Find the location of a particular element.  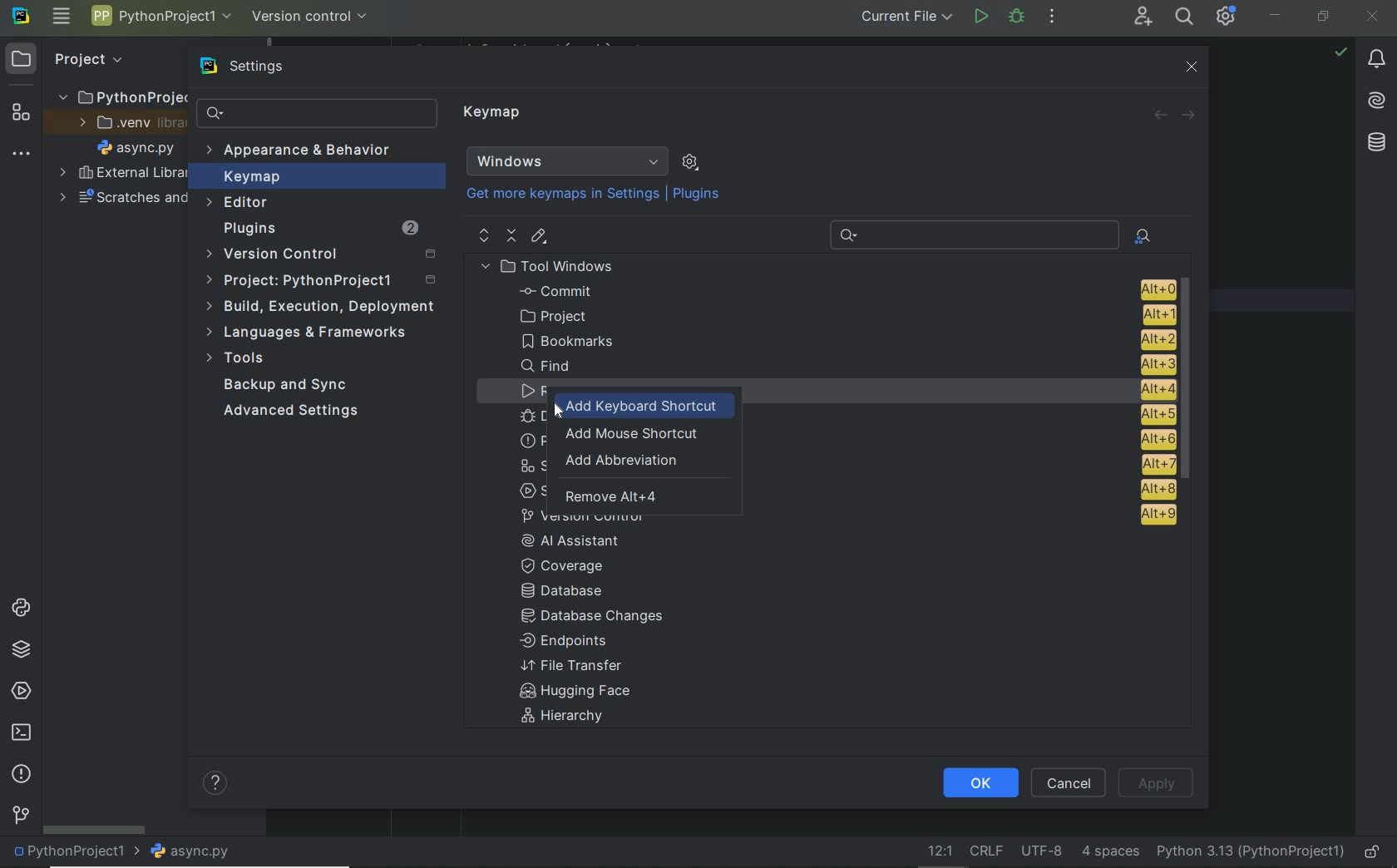

Advanced Settings is located at coordinates (294, 412).